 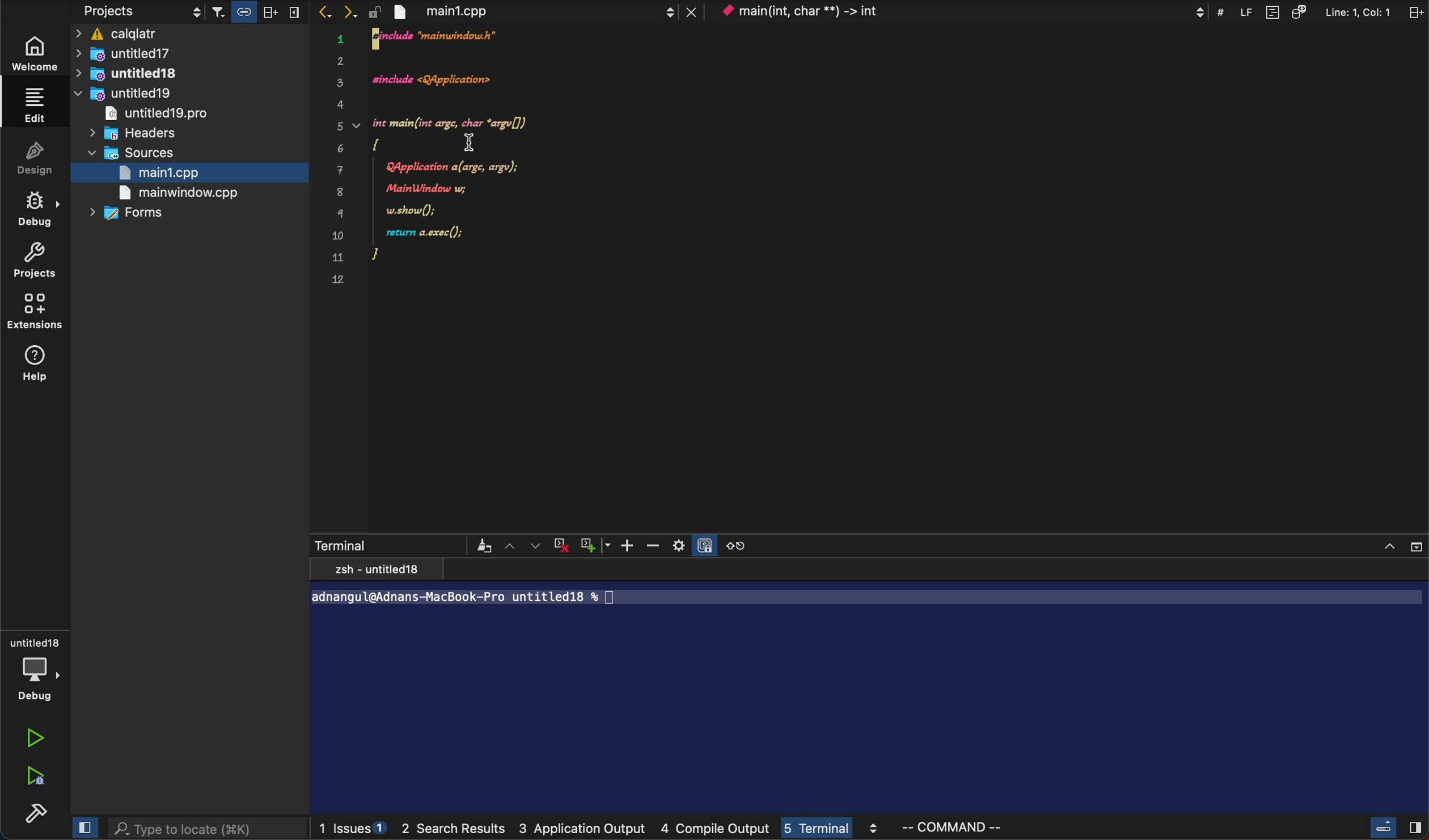 What do you see at coordinates (35, 50) in the screenshot?
I see `welcome` at bounding box center [35, 50].